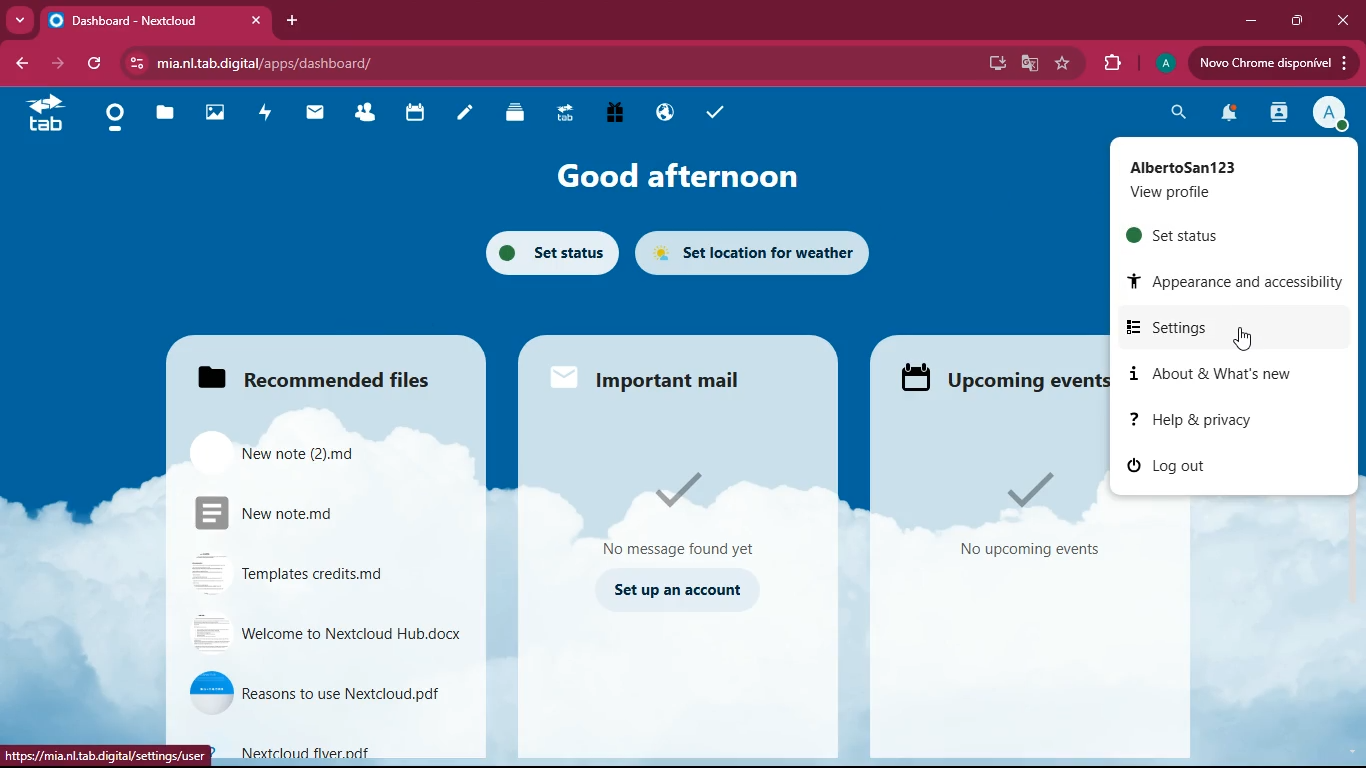 Image resolution: width=1366 pixels, height=768 pixels. I want to click on notifications, so click(1224, 116).